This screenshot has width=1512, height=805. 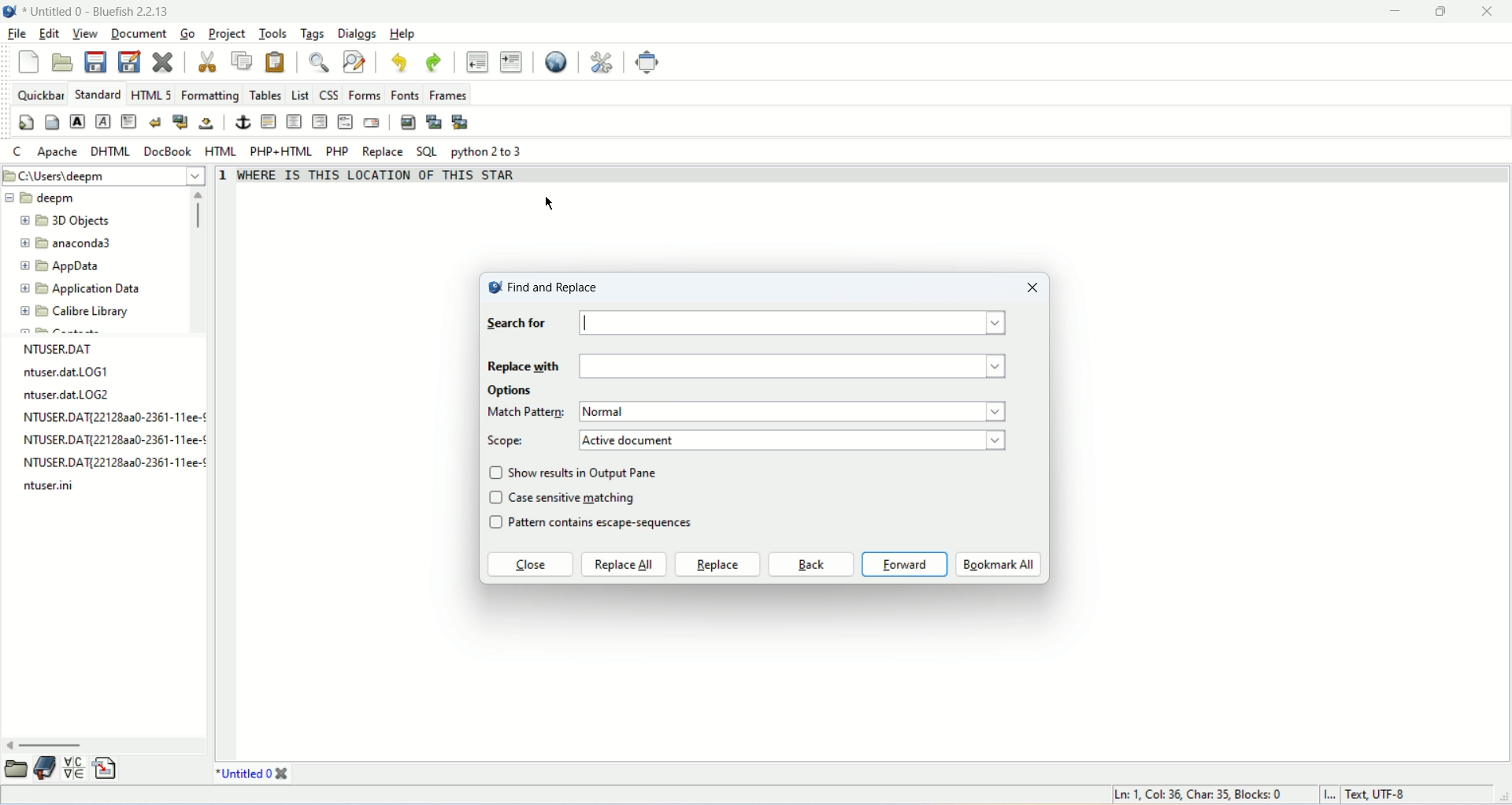 What do you see at coordinates (156, 121) in the screenshot?
I see `break` at bounding box center [156, 121].